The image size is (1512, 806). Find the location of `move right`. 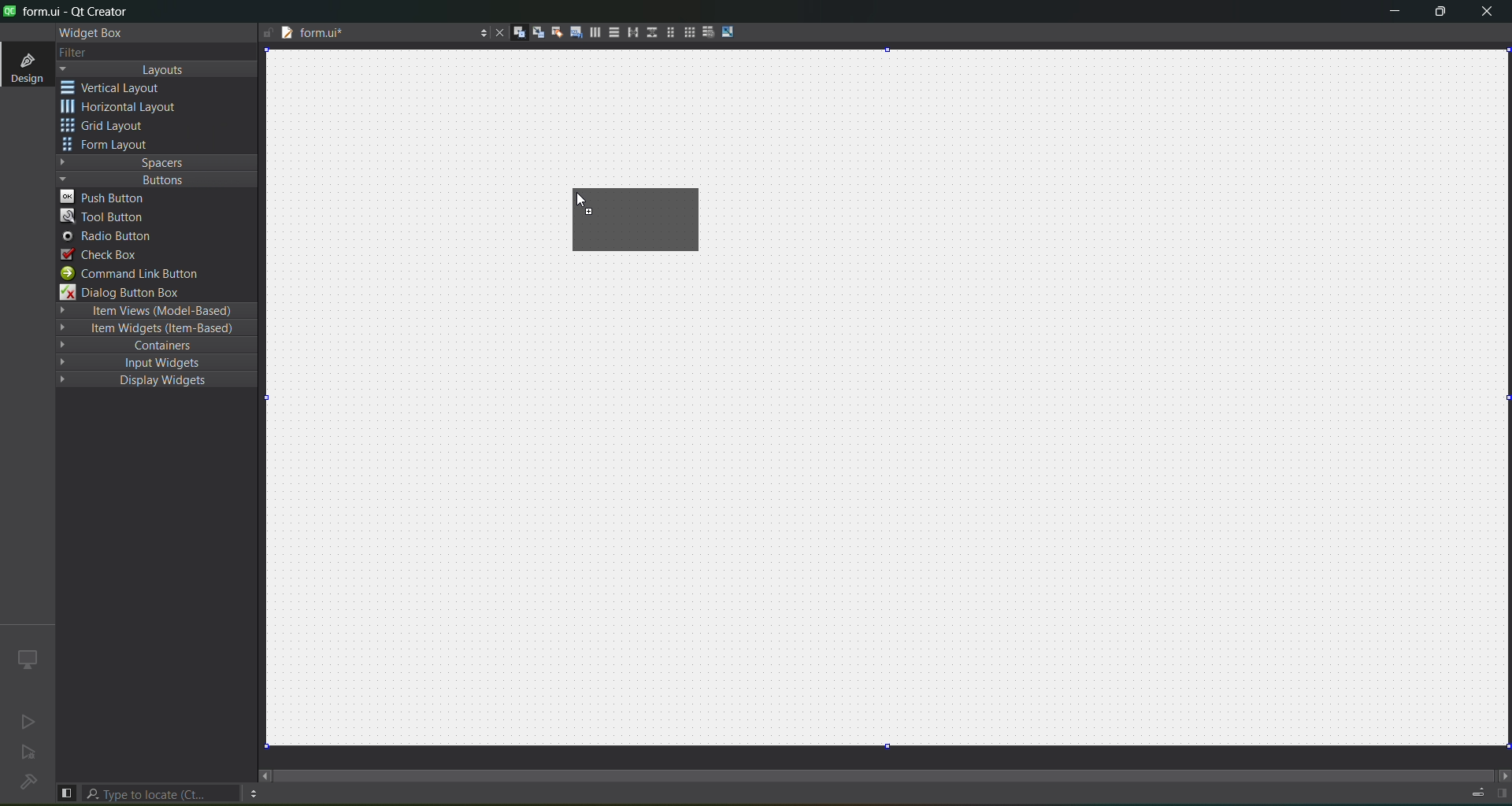

move right is located at coordinates (1501, 774).